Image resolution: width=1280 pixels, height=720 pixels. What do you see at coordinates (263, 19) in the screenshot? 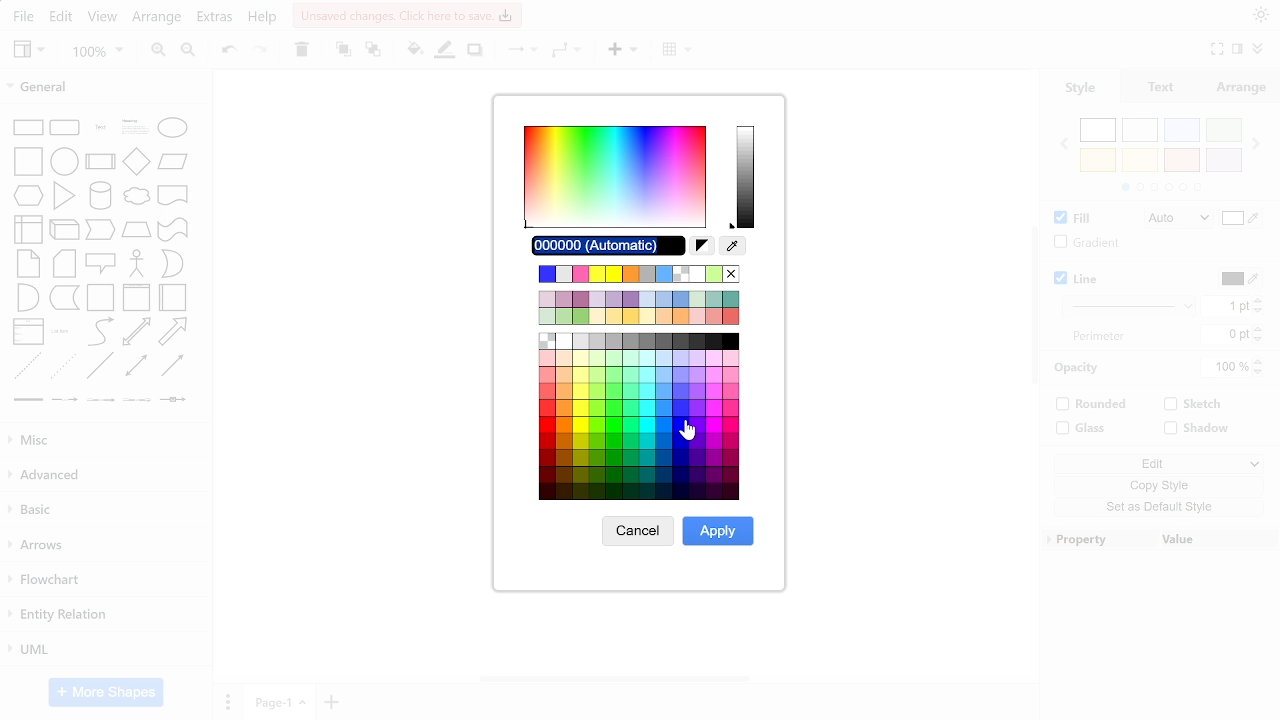
I see `help` at bounding box center [263, 19].